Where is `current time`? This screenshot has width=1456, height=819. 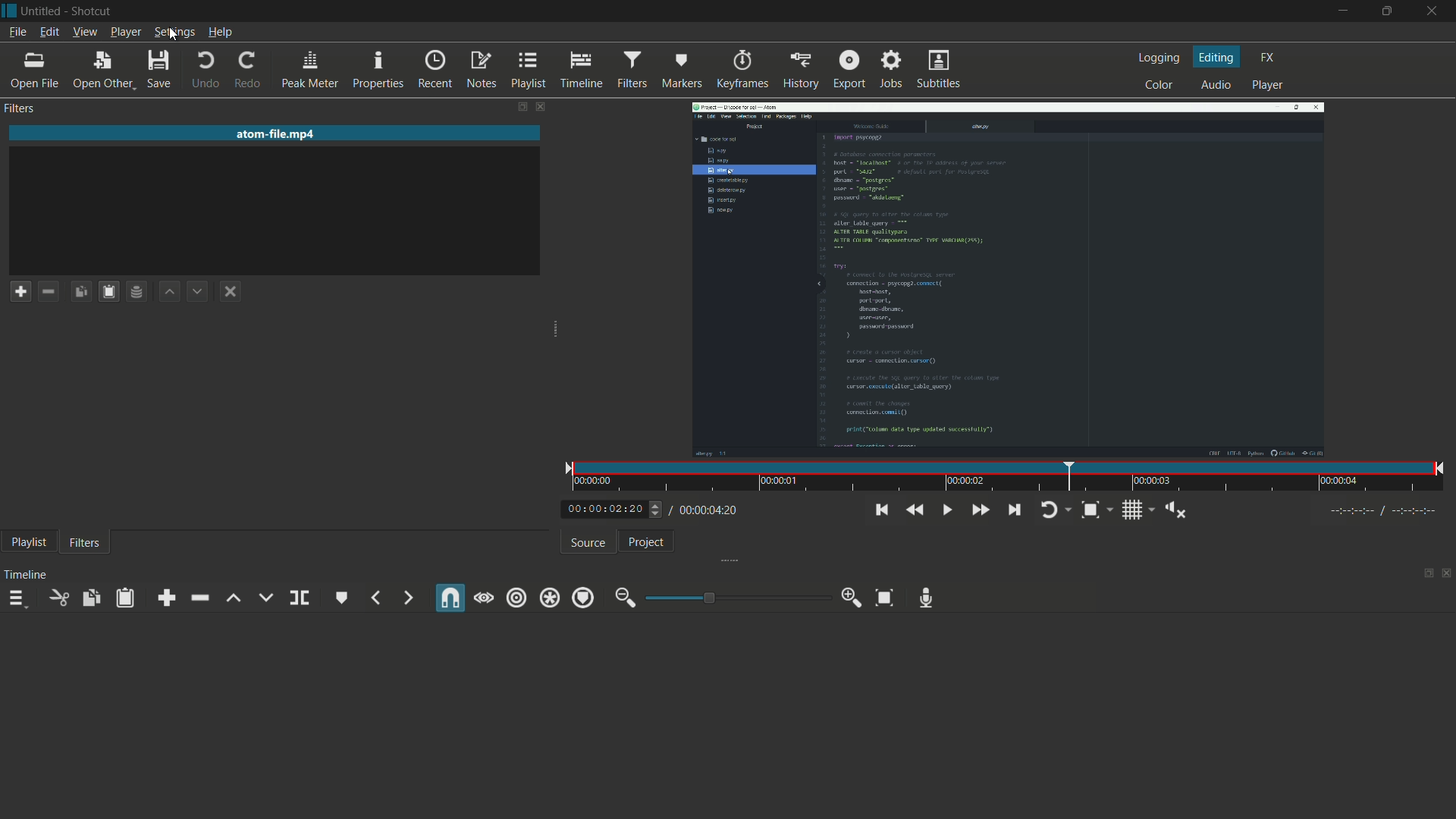
current time is located at coordinates (603, 510).